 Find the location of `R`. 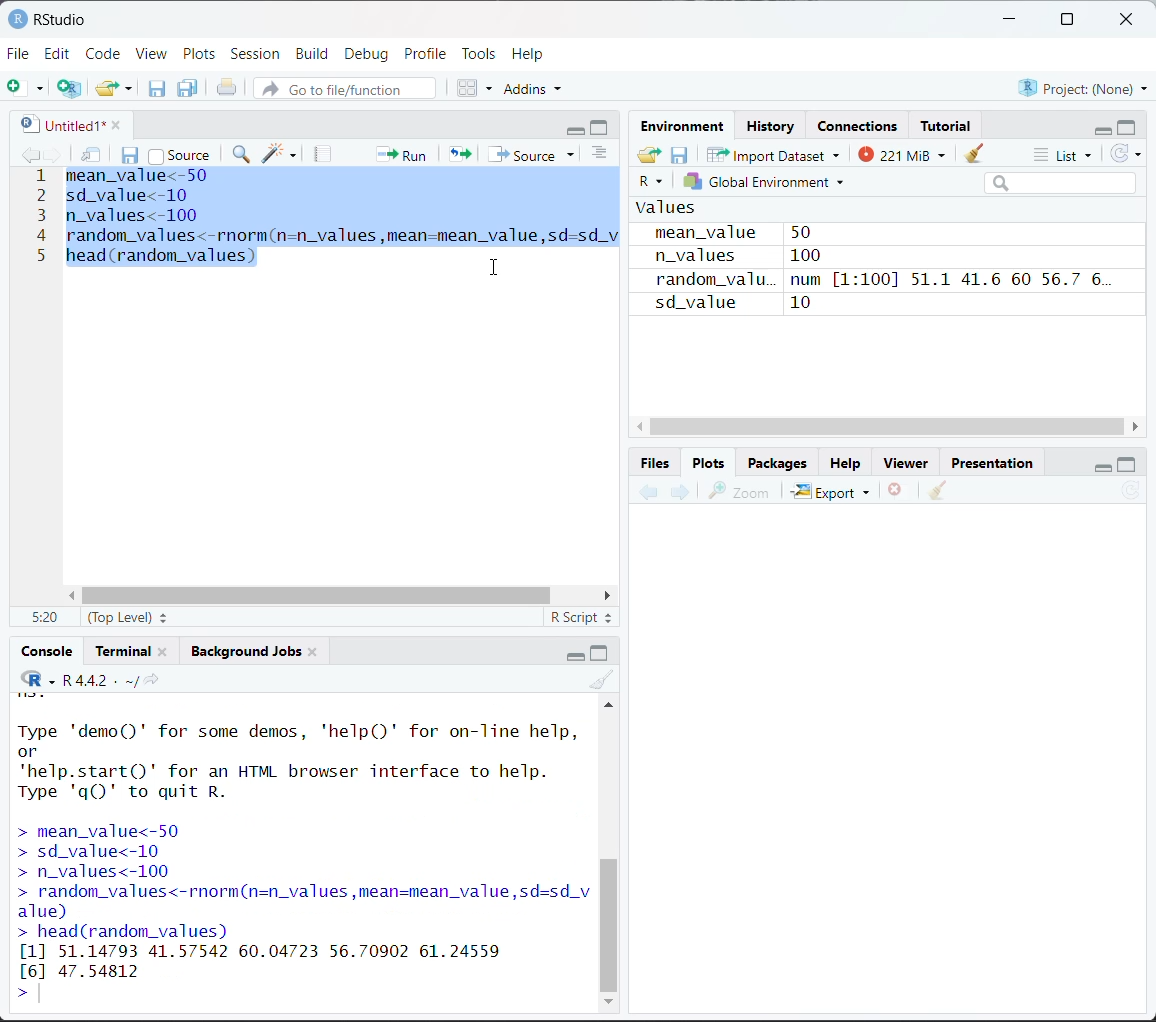

R is located at coordinates (654, 183).